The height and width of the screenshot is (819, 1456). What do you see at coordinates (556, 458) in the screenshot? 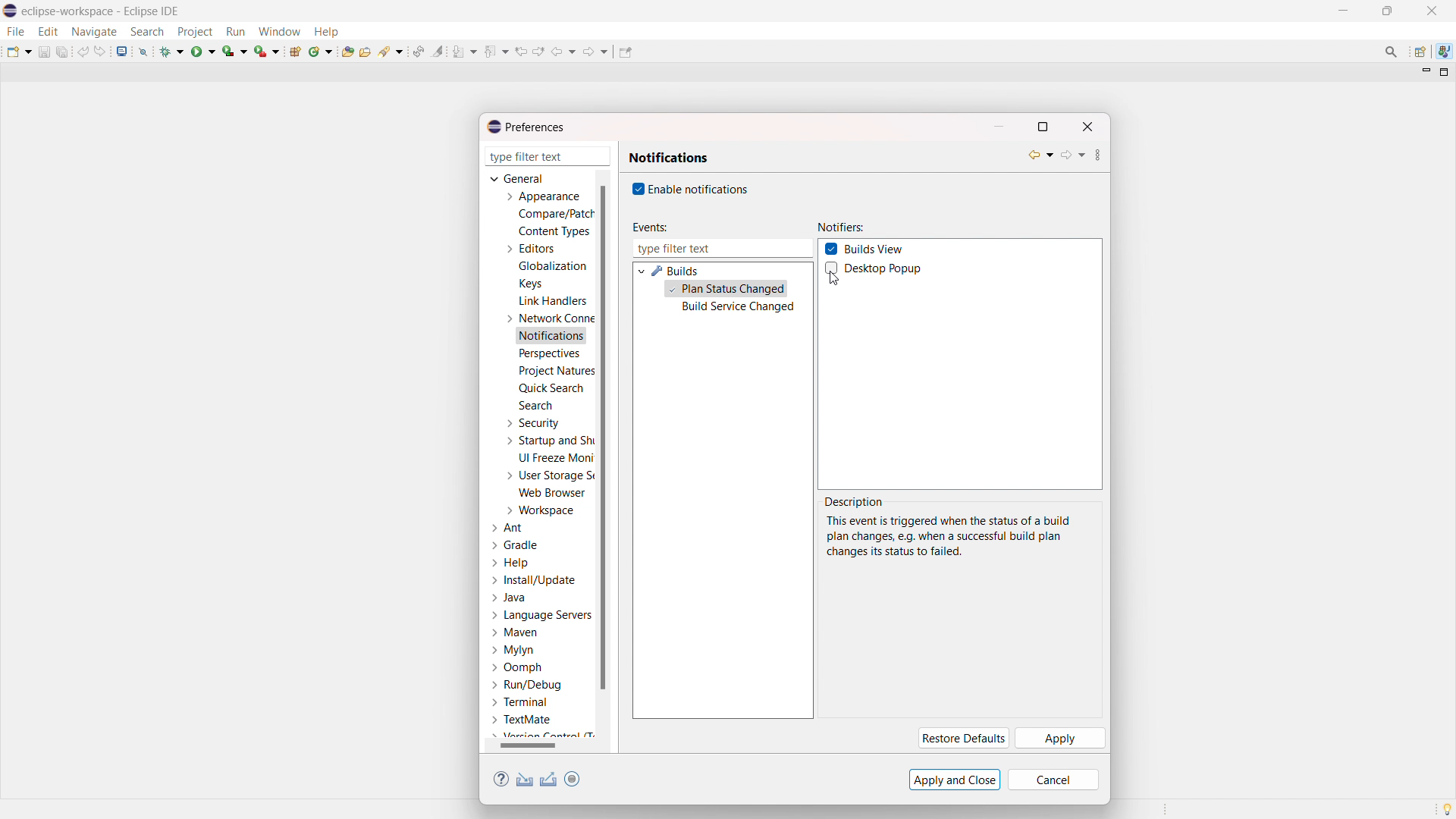
I see `UI freeze monitoring` at bounding box center [556, 458].